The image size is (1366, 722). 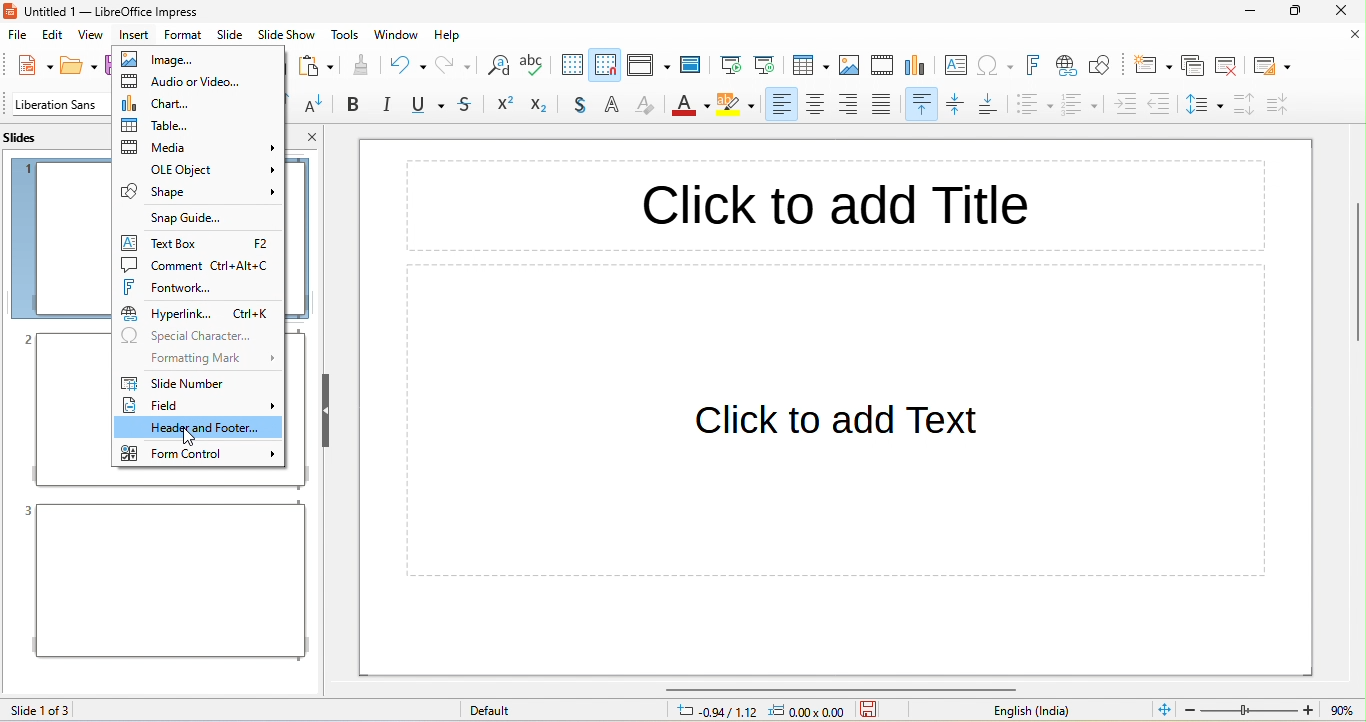 I want to click on value, so click(x=1340, y=710).